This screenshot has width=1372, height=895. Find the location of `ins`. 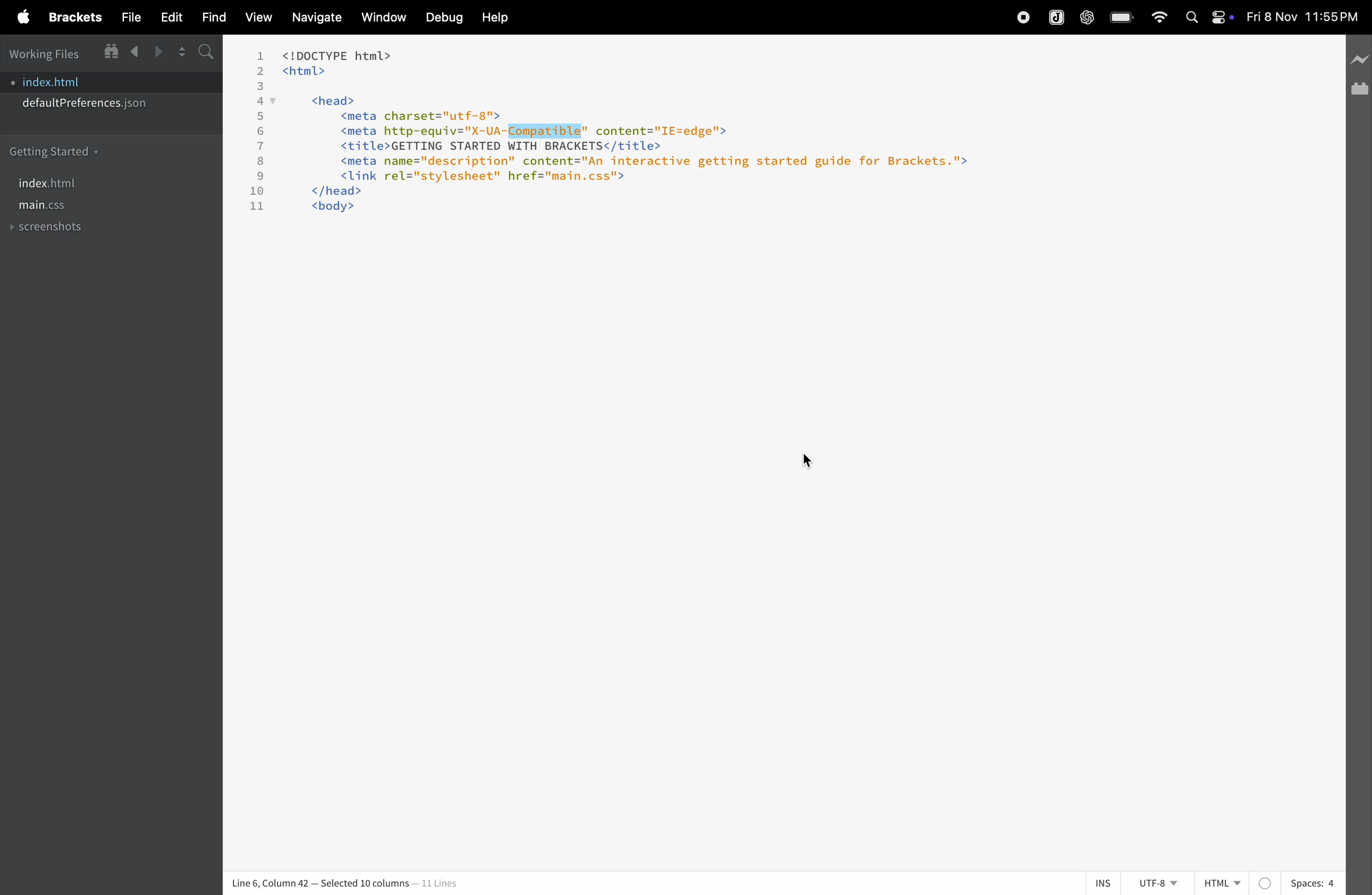

ins is located at coordinates (1105, 883).